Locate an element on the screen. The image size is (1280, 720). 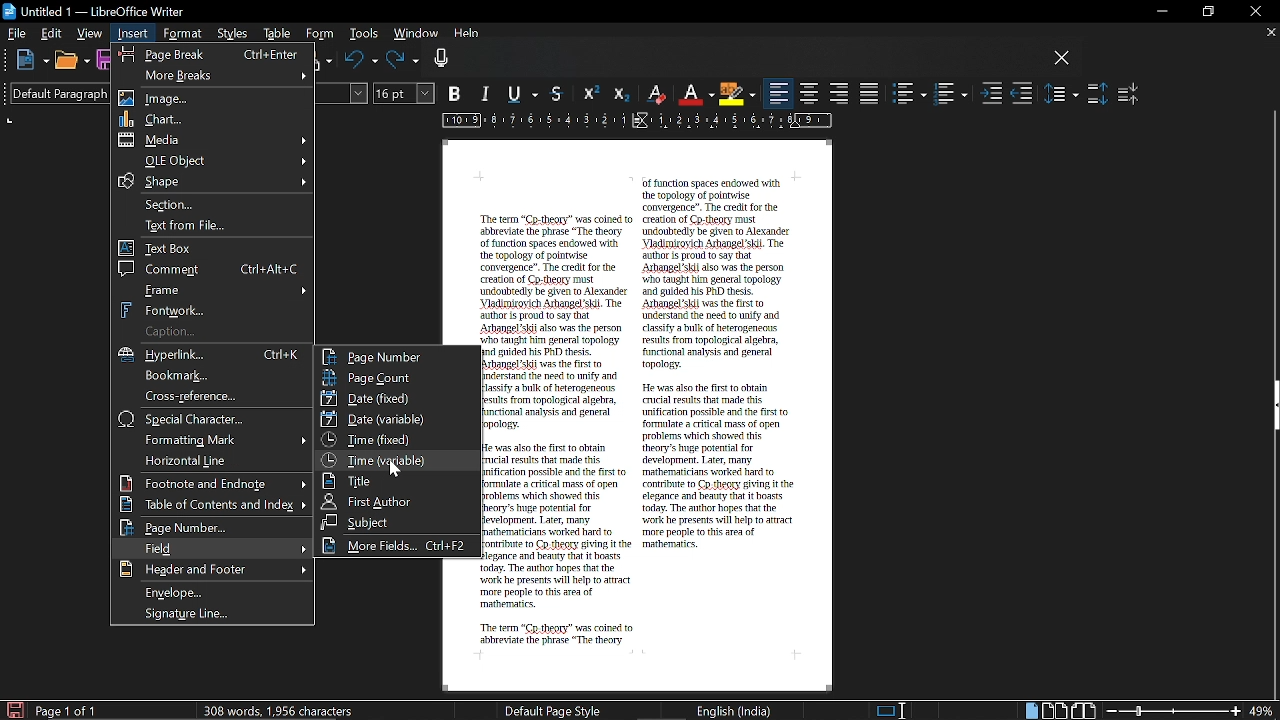
Tools is located at coordinates (362, 35).